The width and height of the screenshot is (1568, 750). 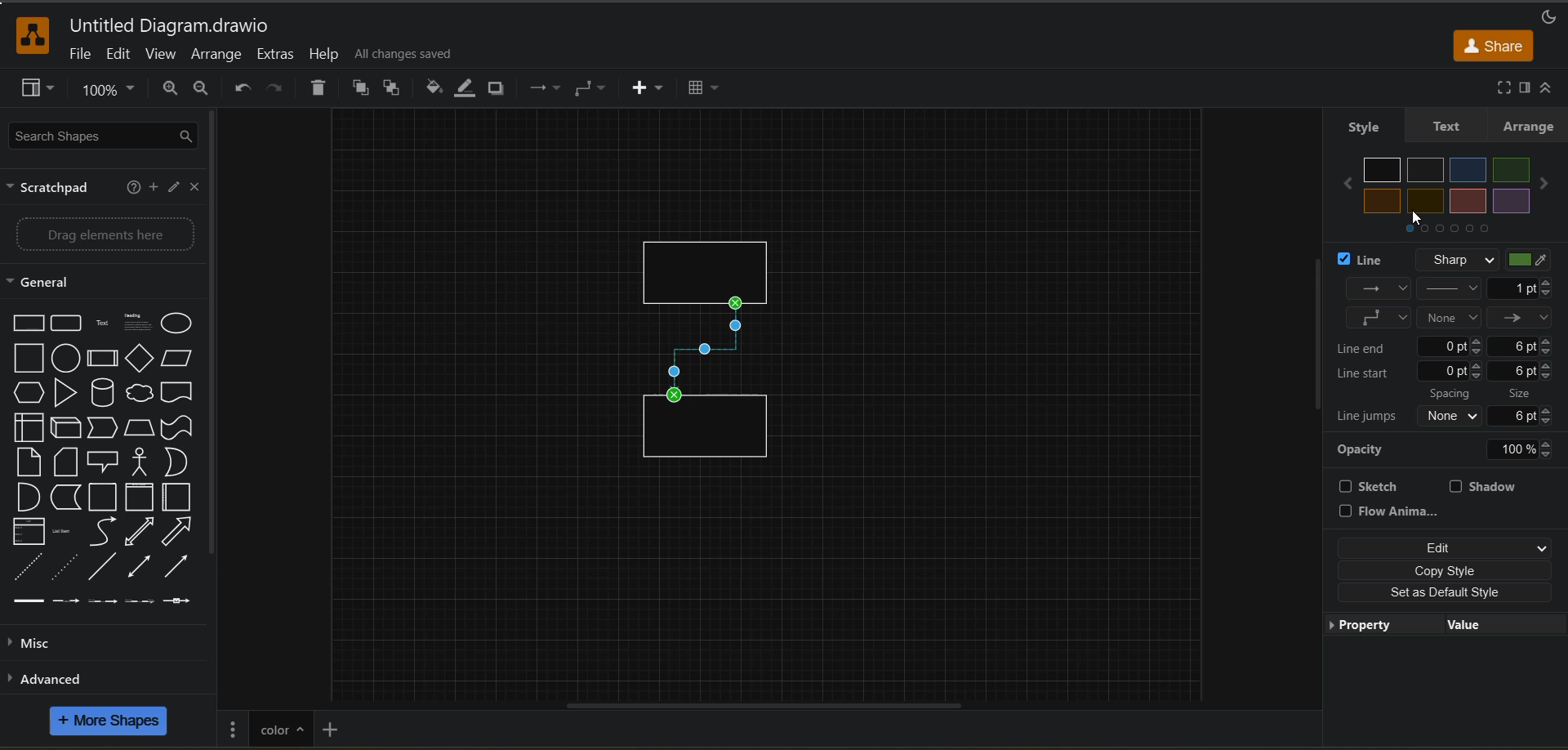 I want to click on Trapezoid, so click(x=141, y=429).